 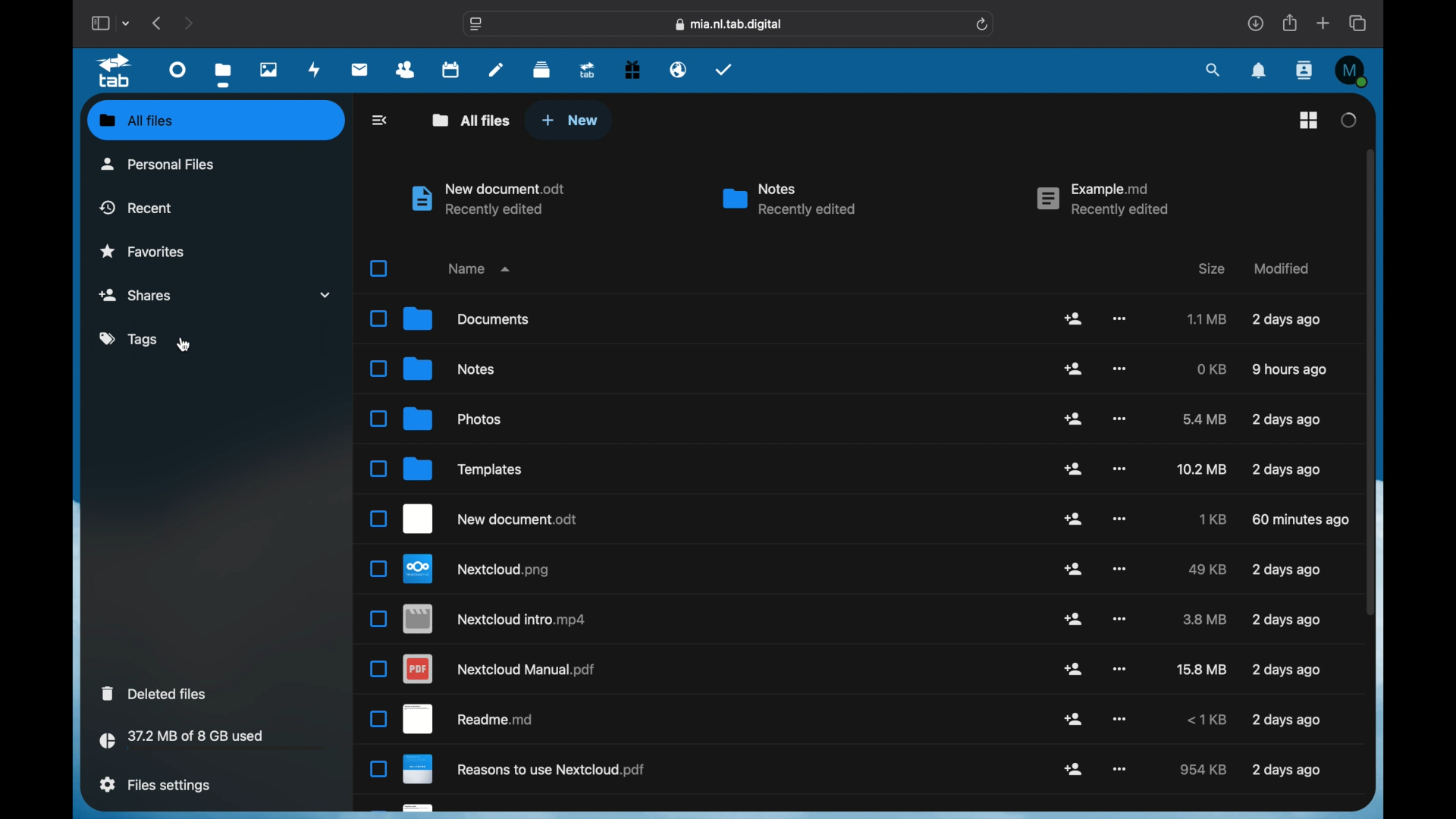 What do you see at coordinates (1120, 769) in the screenshot?
I see `more options` at bounding box center [1120, 769].